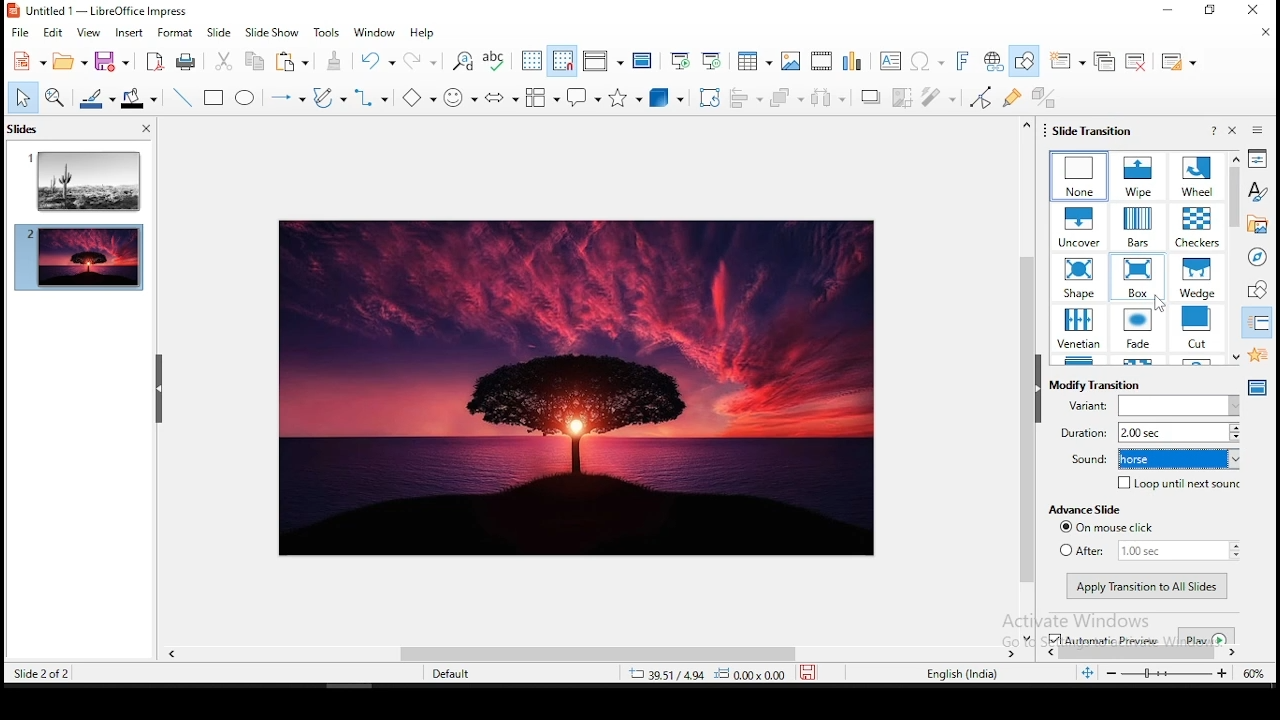  What do you see at coordinates (1259, 256) in the screenshot?
I see `navigator` at bounding box center [1259, 256].